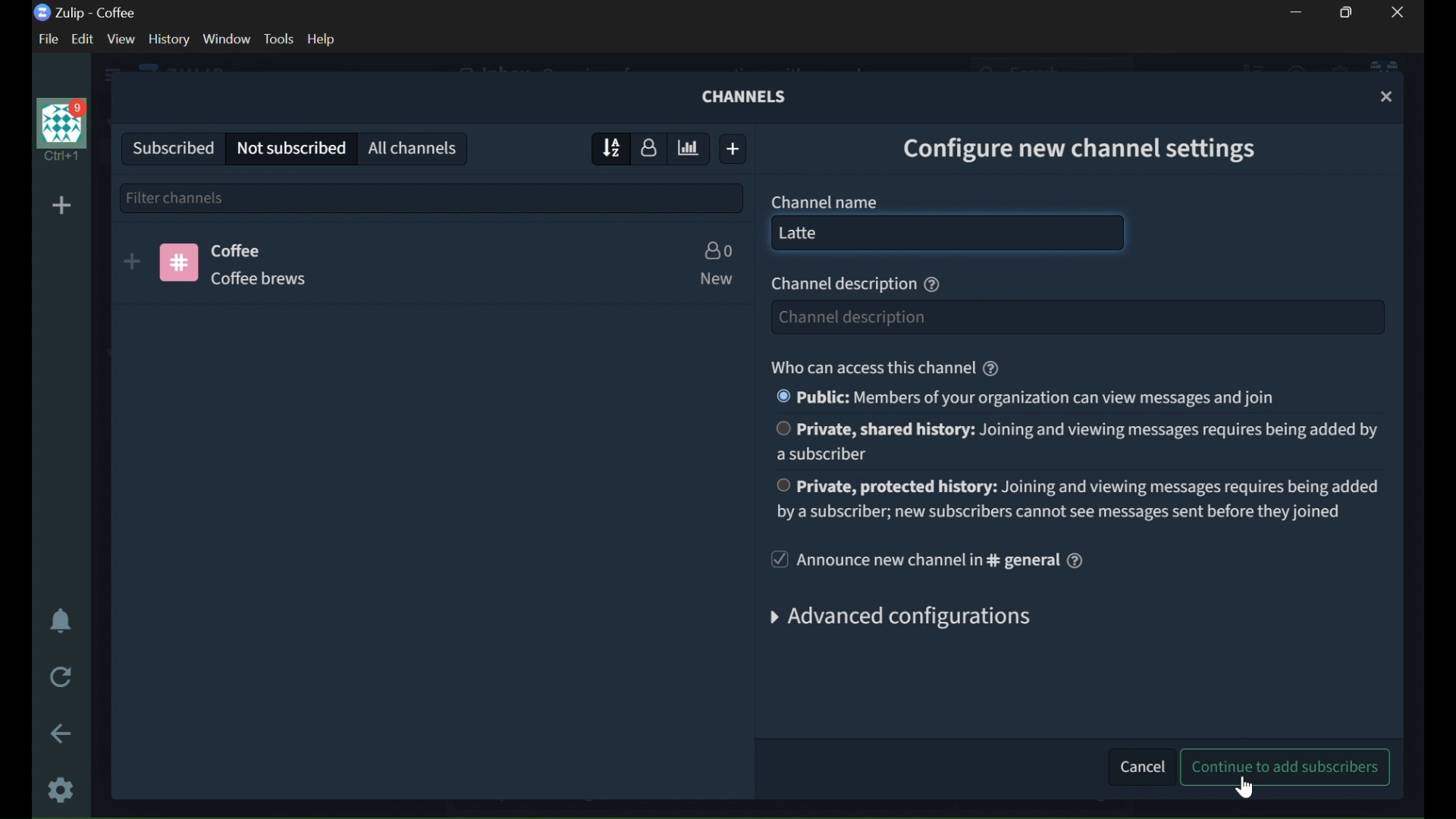 The image size is (1456, 819). Describe the element at coordinates (819, 234) in the screenshot. I see `TYPED TEXT: "Latte"` at that location.